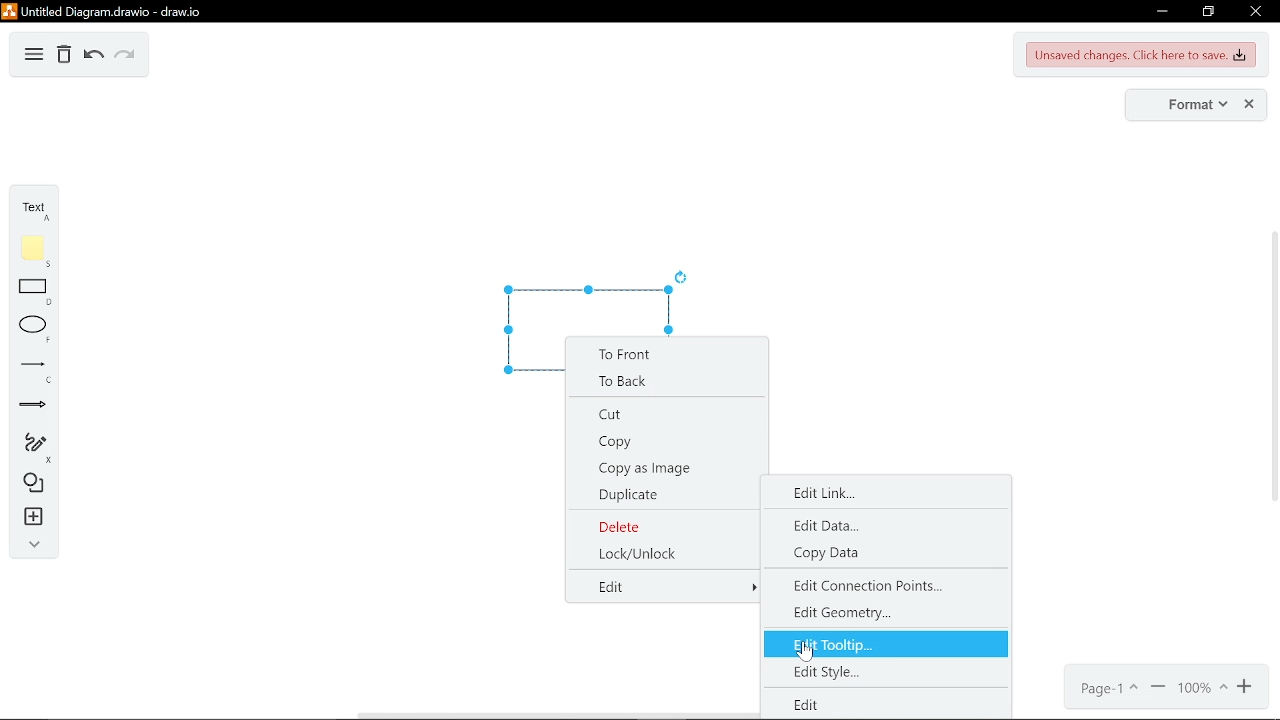  What do you see at coordinates (664, 355) in the screenshot?
I see `to front` at bounding box center [664, 355].